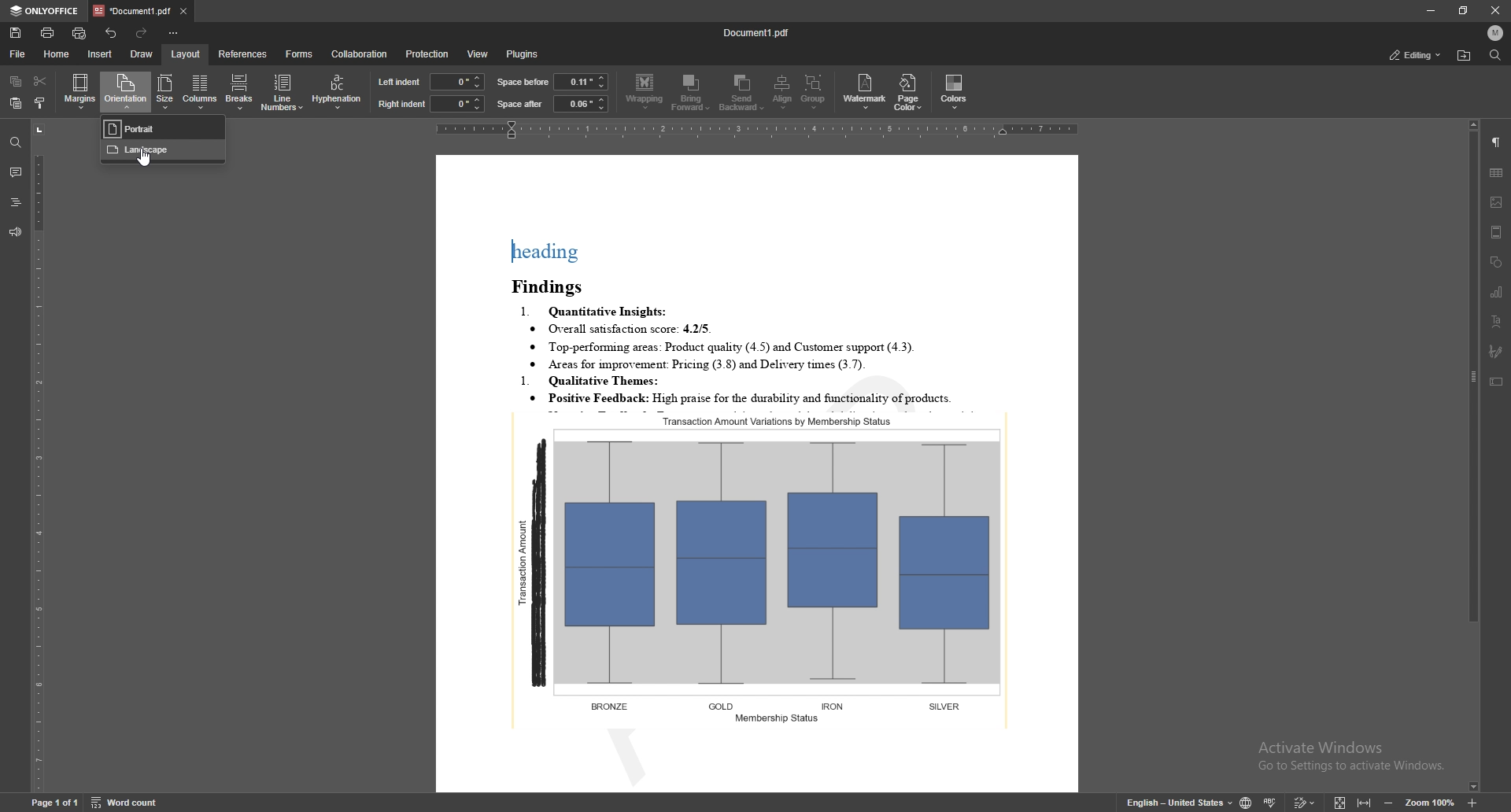 The image size is (1511, 812). What do you see at coordinates (161, 152) in the screenshot?
I see `landscape` at bounding box center [161, 152].